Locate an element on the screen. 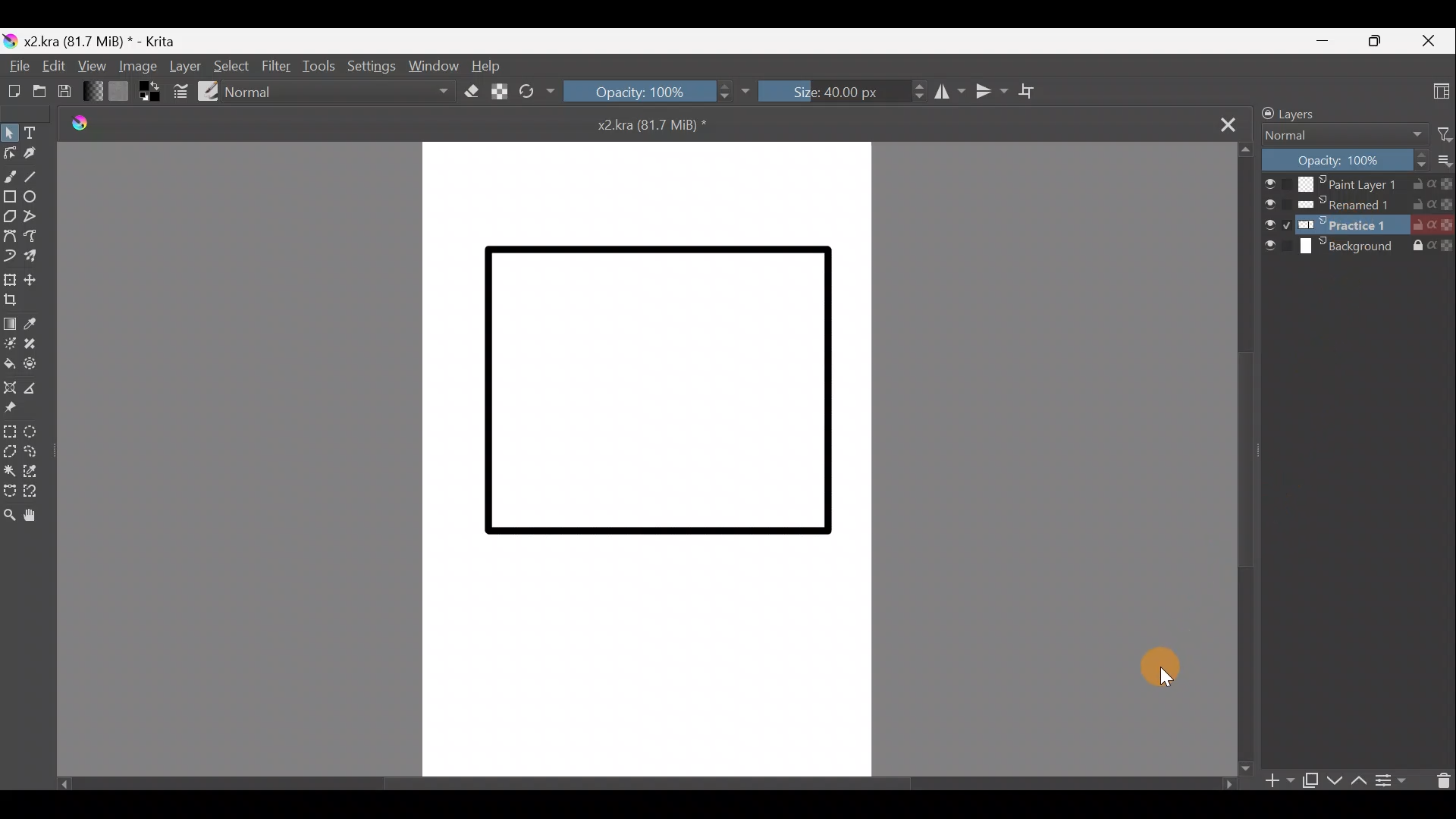  Preserve Alpha is located at coordinates (497, 90).